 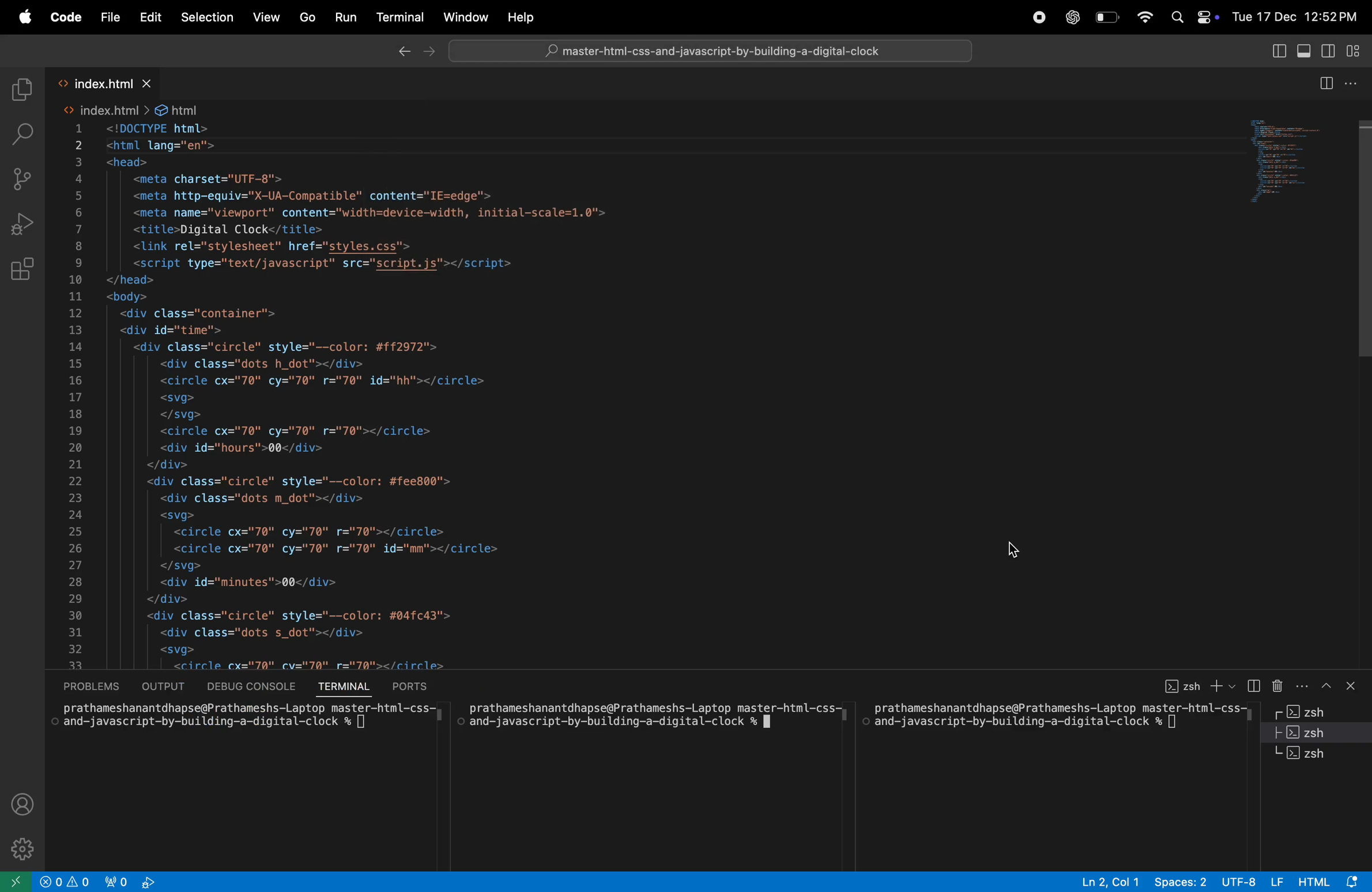 I want to click on Vertical Scroll bar, so click(x=1363, y=239).